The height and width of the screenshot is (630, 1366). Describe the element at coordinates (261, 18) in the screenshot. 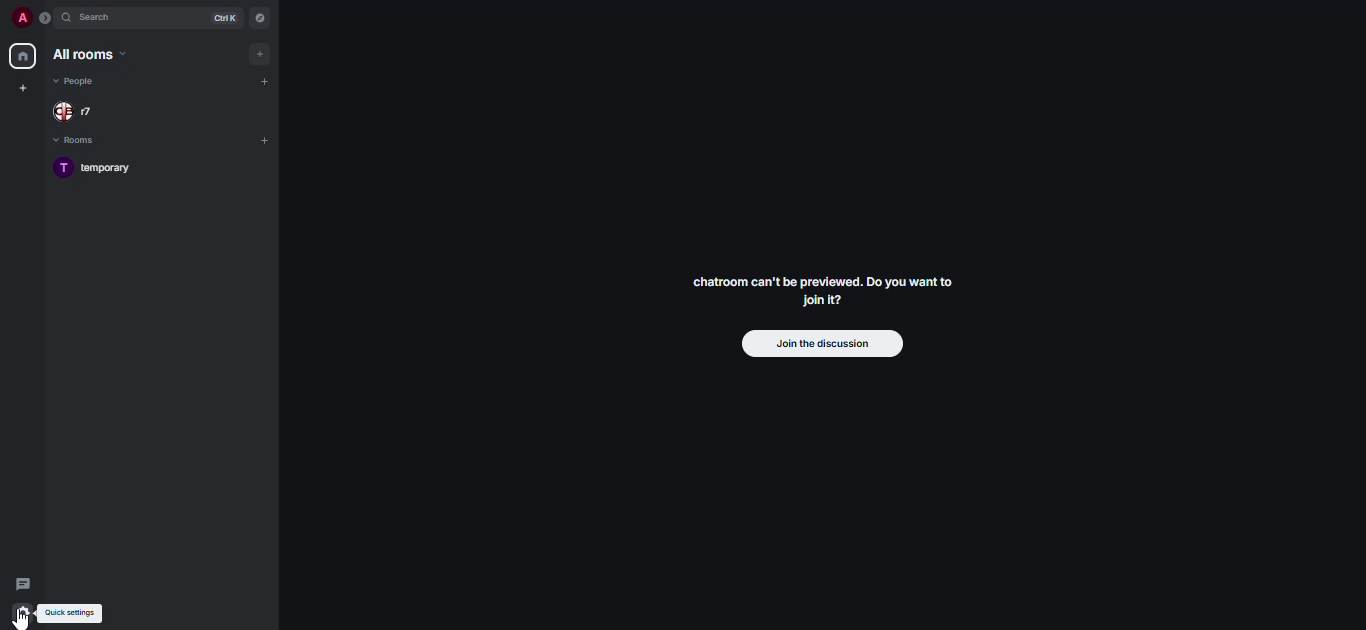

I see `navigator` at that location.